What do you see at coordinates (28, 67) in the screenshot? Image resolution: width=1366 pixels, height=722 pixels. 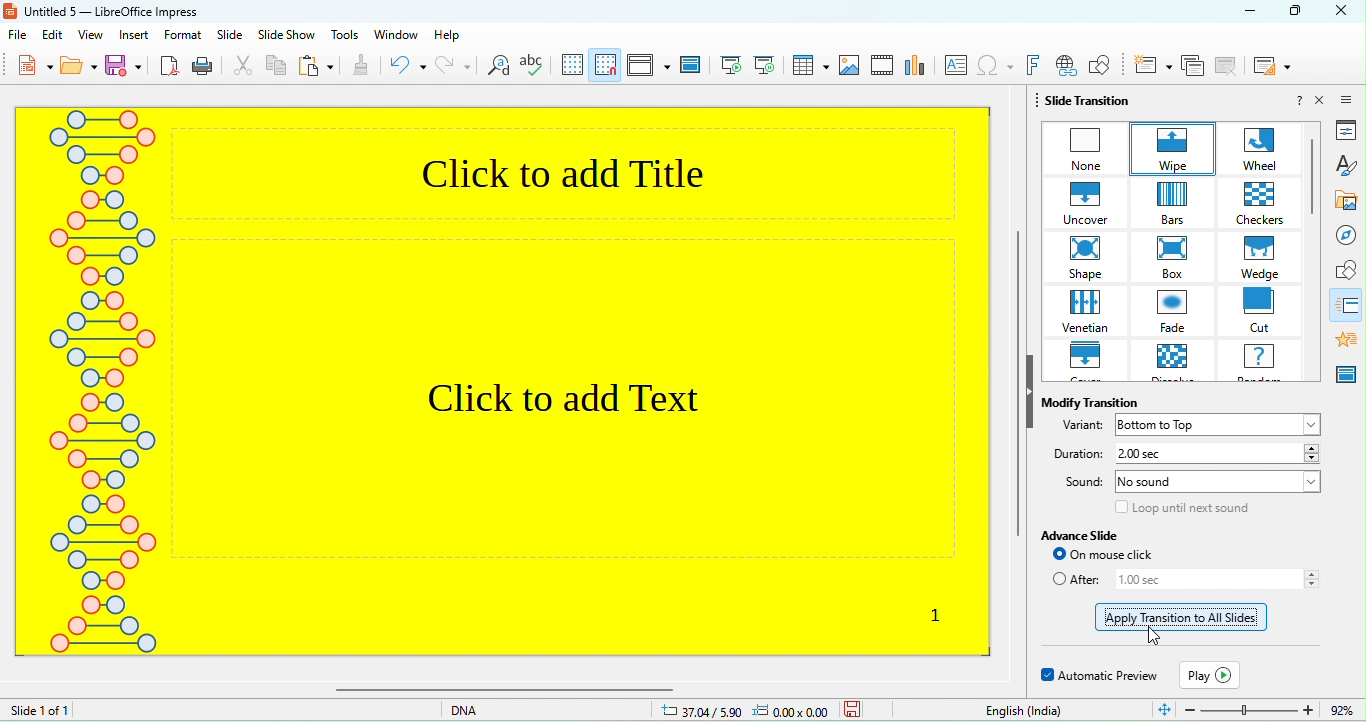 I see `new` at bounding box center [28, 67].